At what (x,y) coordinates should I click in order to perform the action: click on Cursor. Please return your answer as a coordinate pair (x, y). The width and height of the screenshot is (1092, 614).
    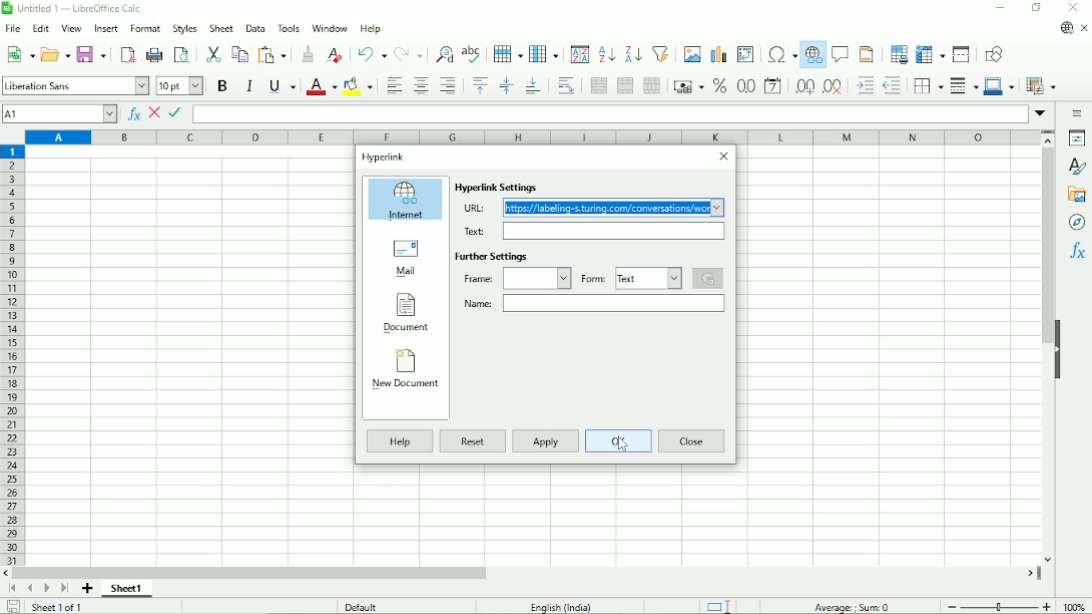
    Looking at the image, I should click on (623, 445).